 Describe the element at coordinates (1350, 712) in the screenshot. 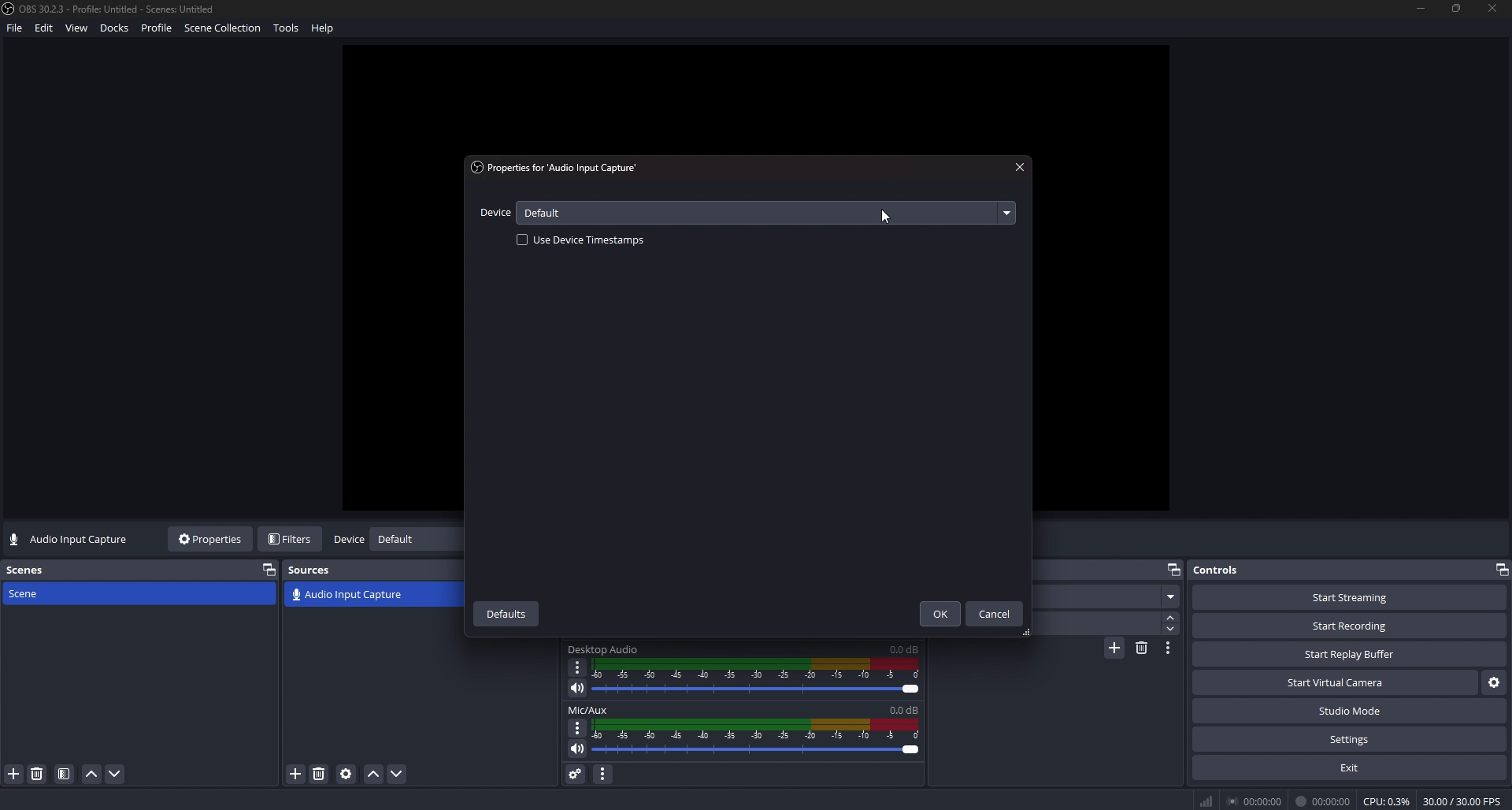

I see `studio mode` at that location.